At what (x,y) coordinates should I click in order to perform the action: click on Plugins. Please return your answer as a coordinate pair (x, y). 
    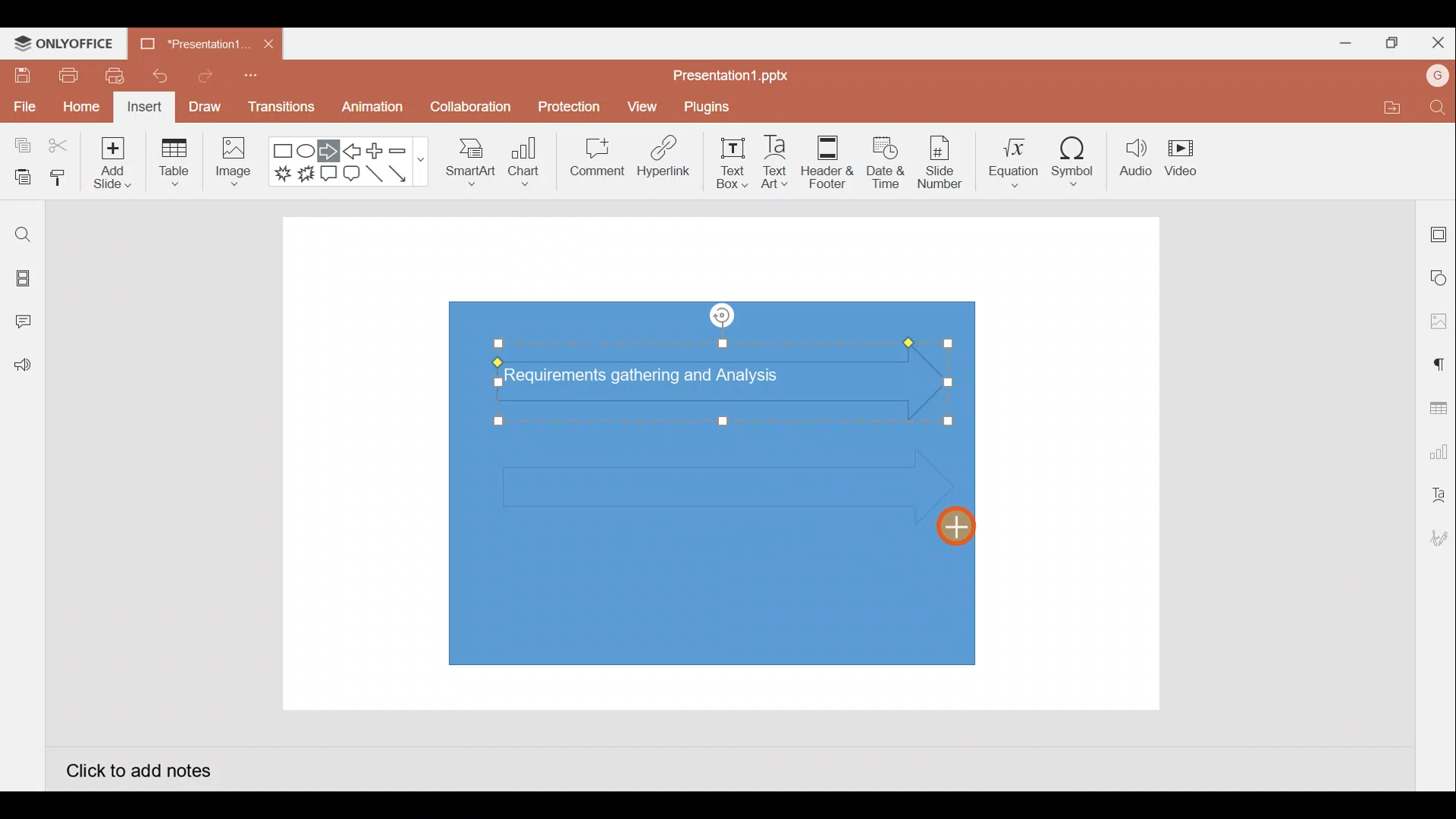
    Looking at the image, I should click on (717, 105).